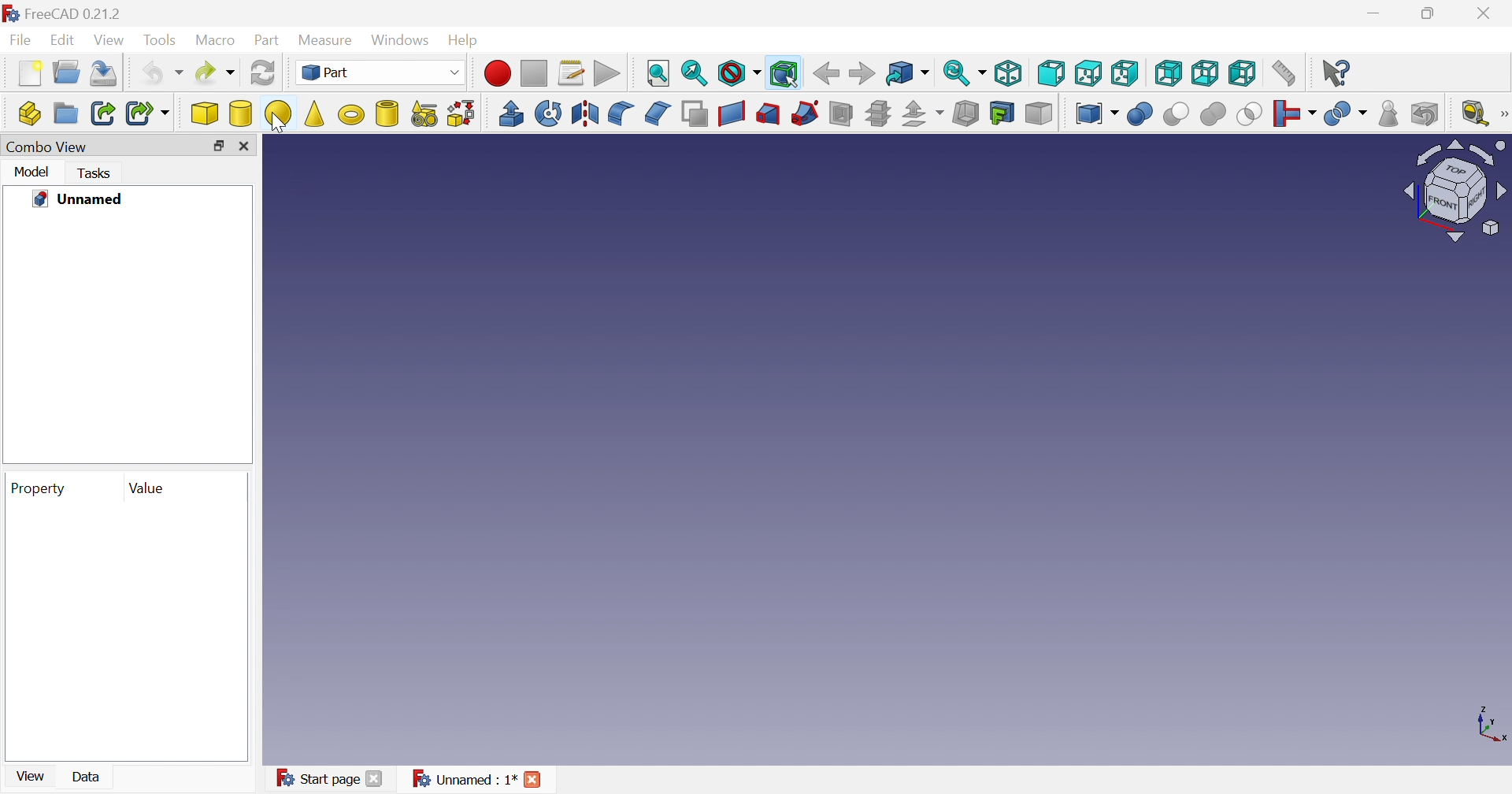 This screenshot has height=794, width=1512. Describe the element at coordinates (1241, 74) in the screenshot. I see `Left` at that location.